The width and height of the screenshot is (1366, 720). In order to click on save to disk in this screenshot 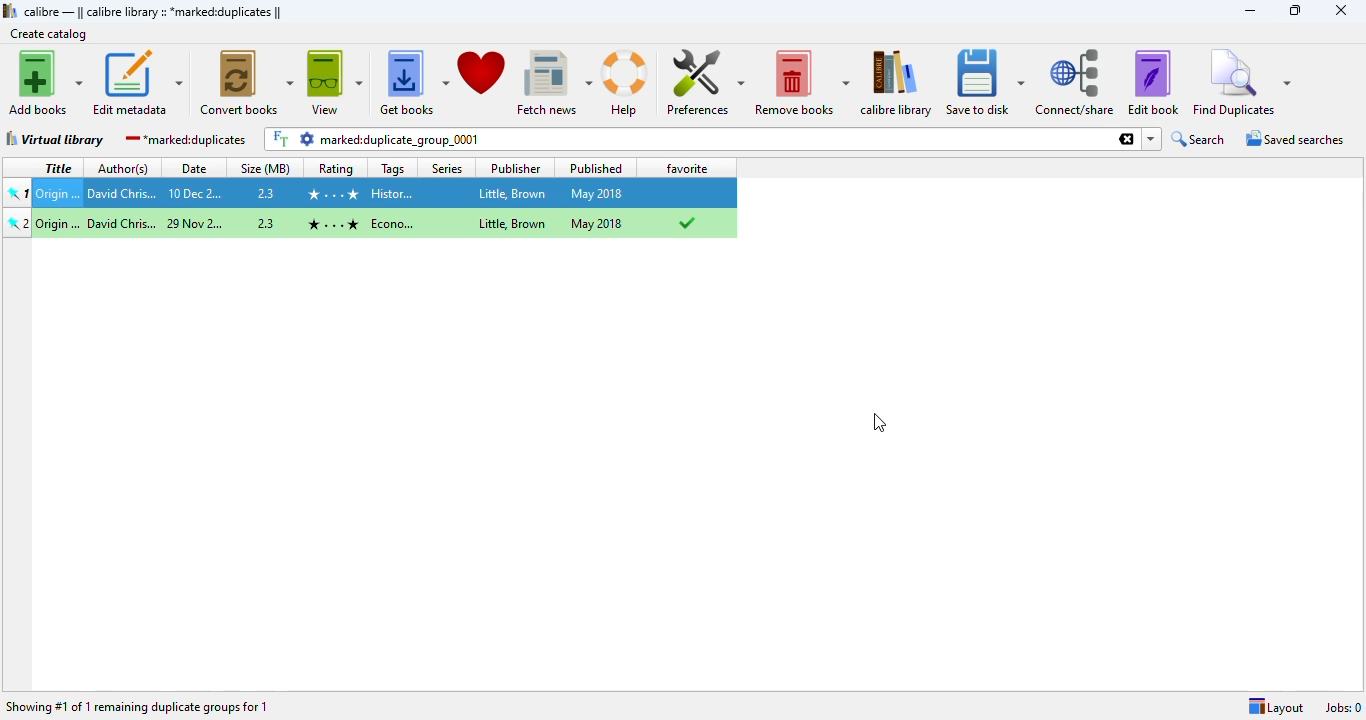, I will do `click(986, 83)`.